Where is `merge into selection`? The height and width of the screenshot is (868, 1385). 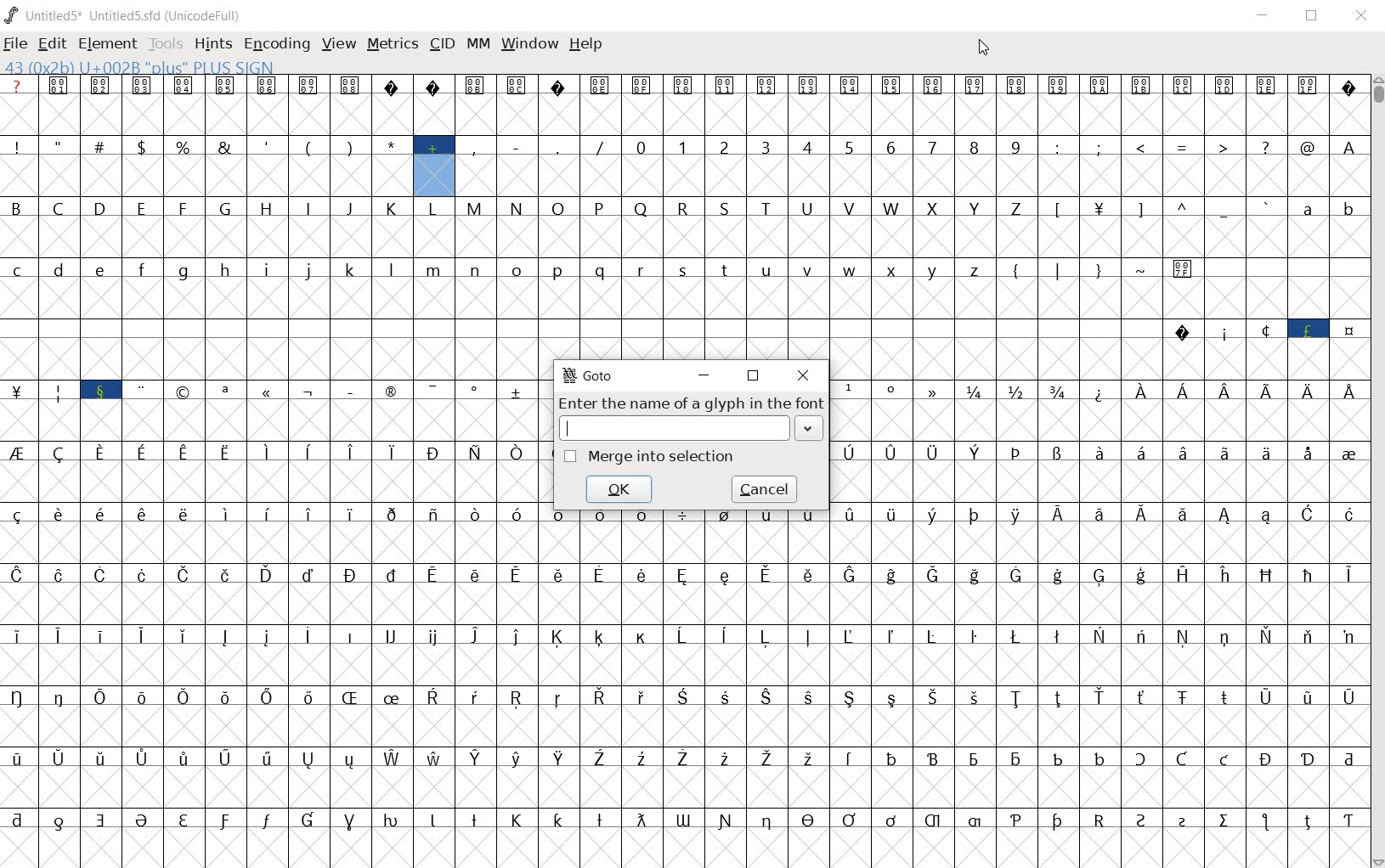 merge into selection is located at coordinates (649, 457).